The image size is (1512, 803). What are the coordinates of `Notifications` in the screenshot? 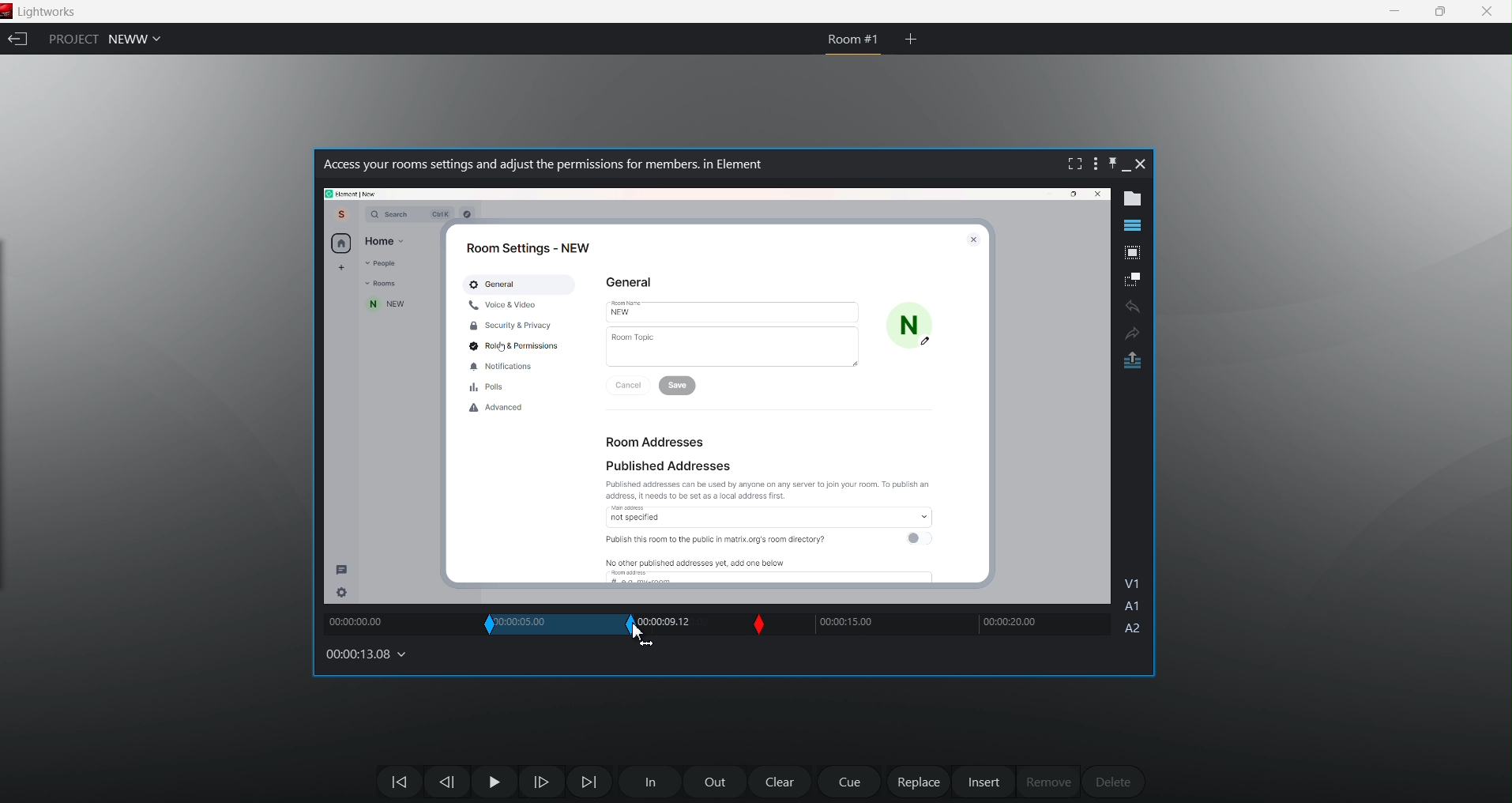 It's located at (504, 366).